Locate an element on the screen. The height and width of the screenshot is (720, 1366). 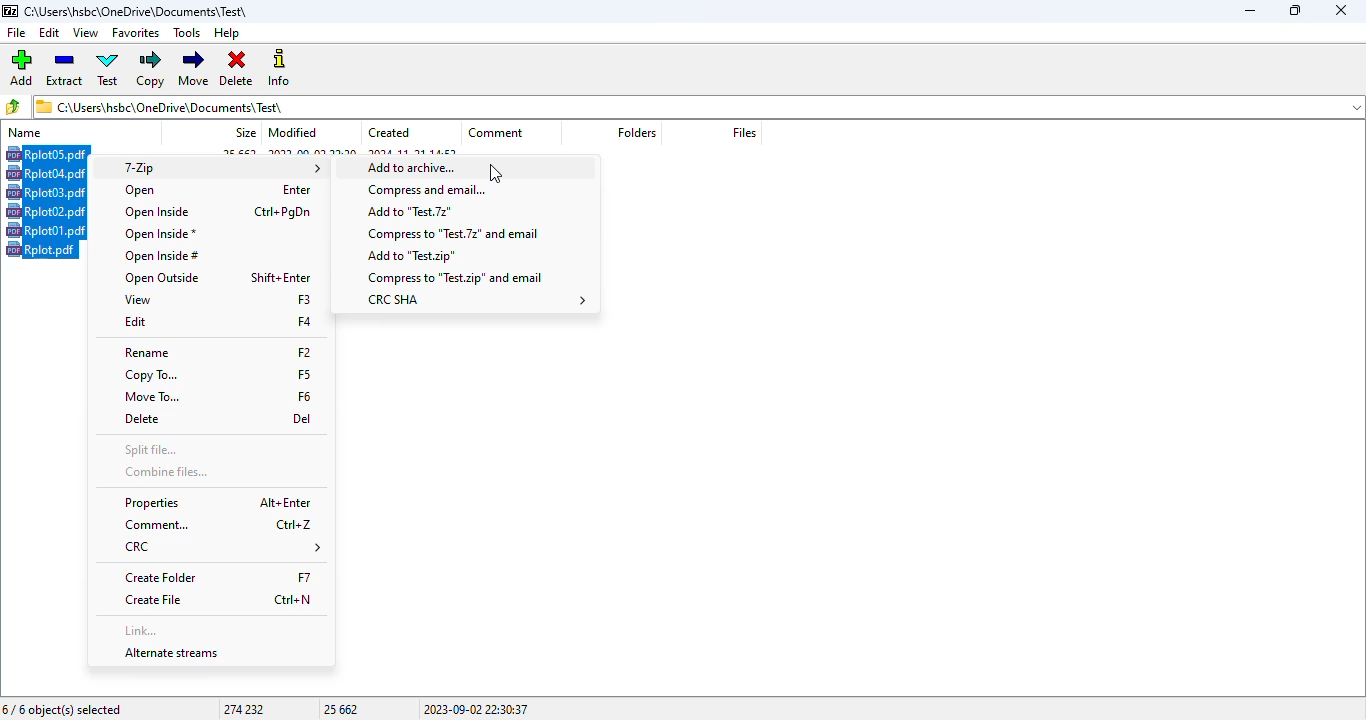
created is located at coordinates (389, 133).